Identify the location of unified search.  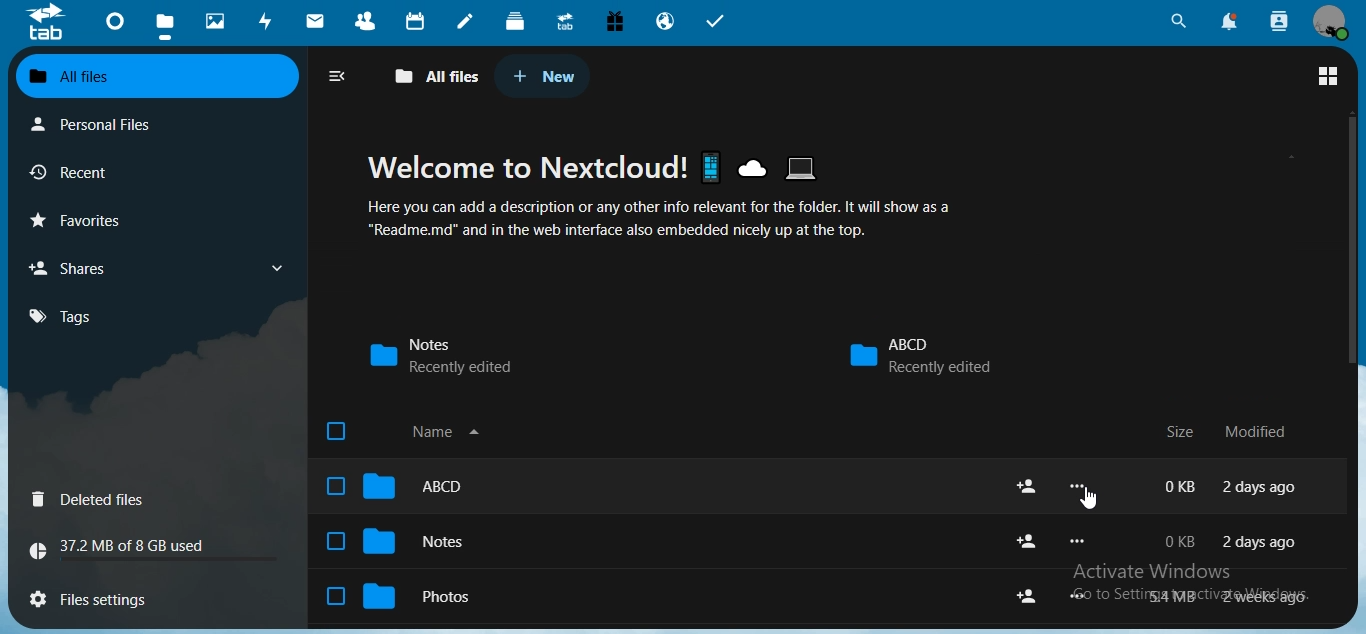
(1179, 20).